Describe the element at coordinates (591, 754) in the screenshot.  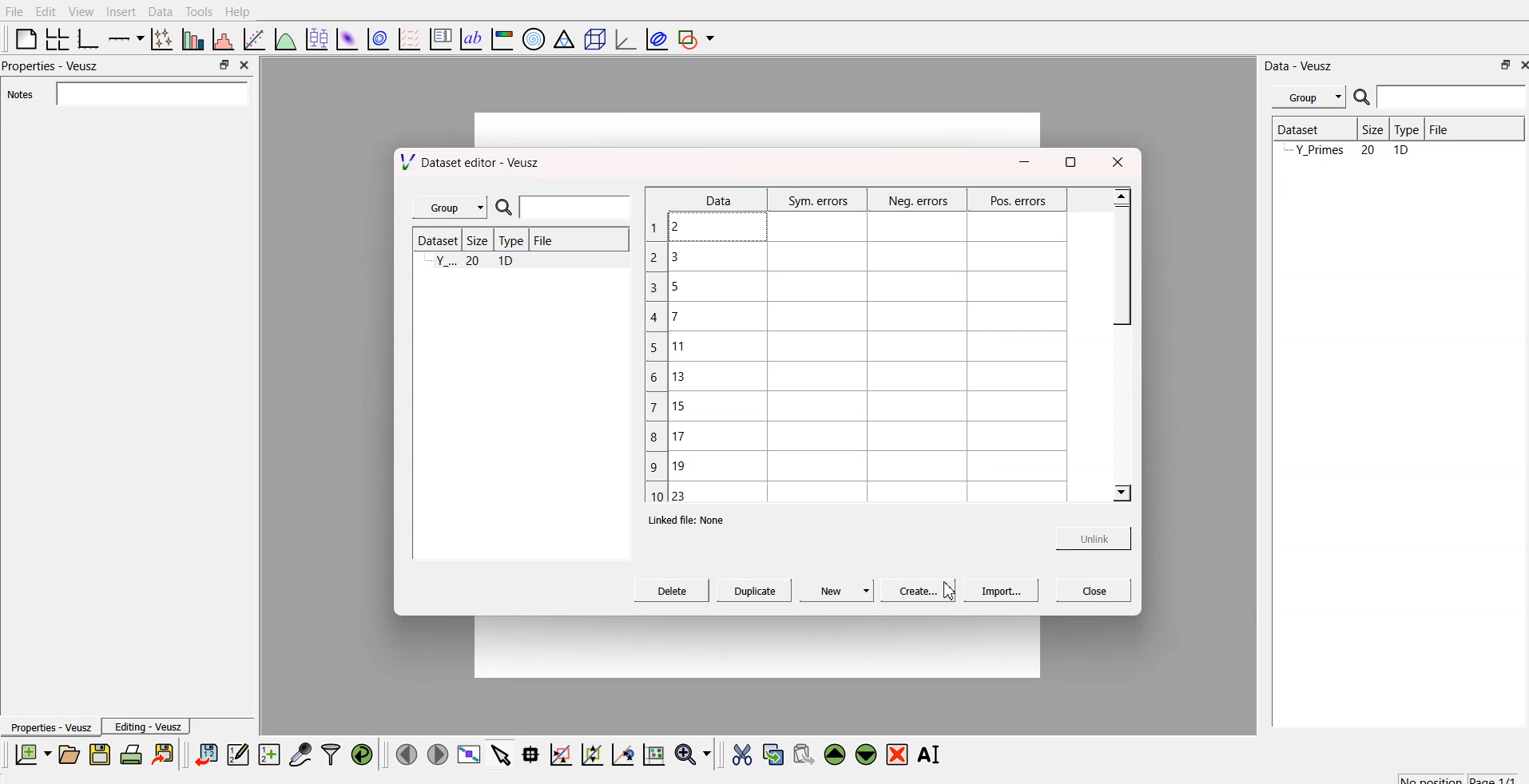
I see `draw ponts` at that location.